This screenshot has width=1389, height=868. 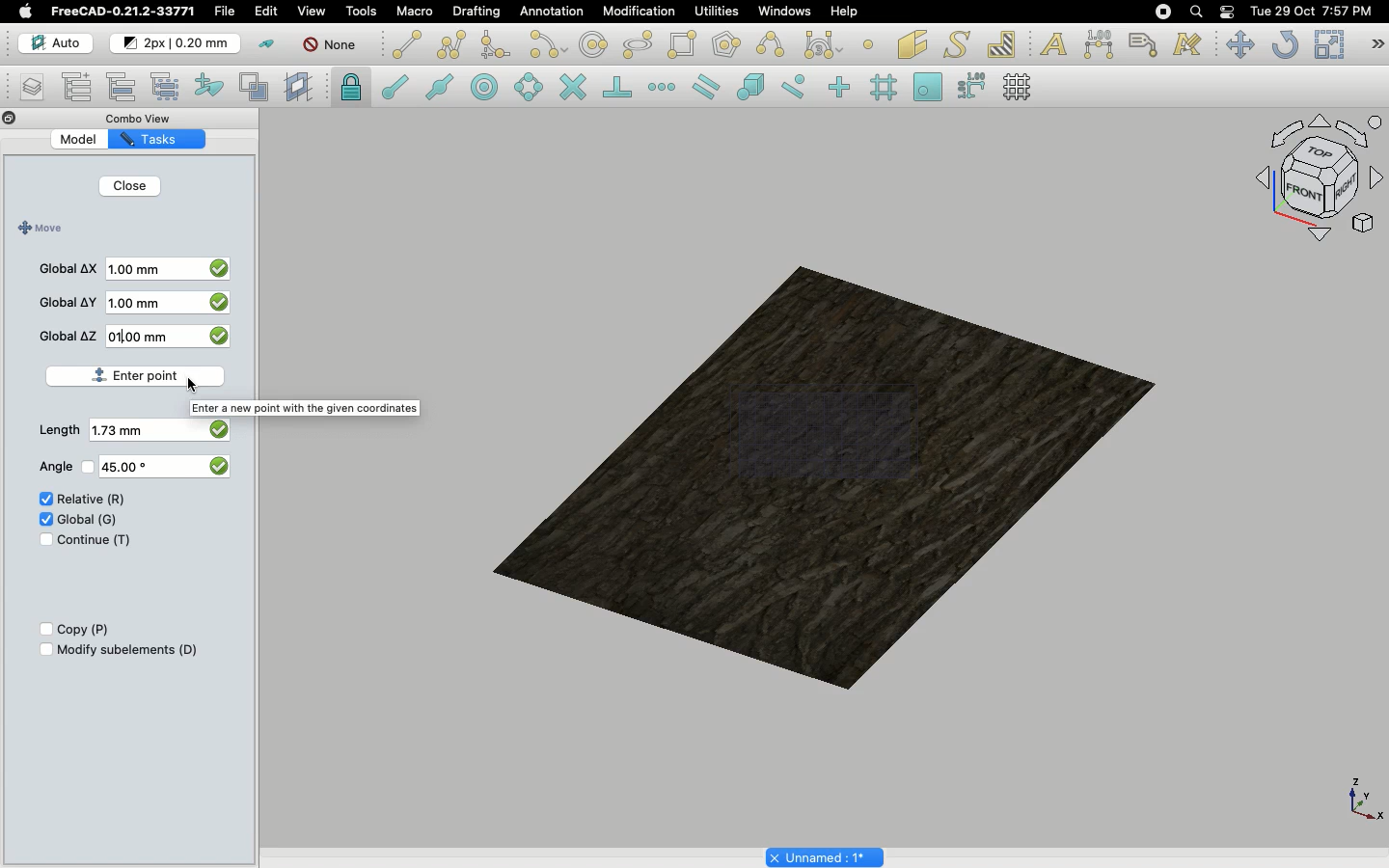 What do you see at coordinates (1101, 44) in the screenshot?
I see `Dimension` at bounding box center [1101, 44].